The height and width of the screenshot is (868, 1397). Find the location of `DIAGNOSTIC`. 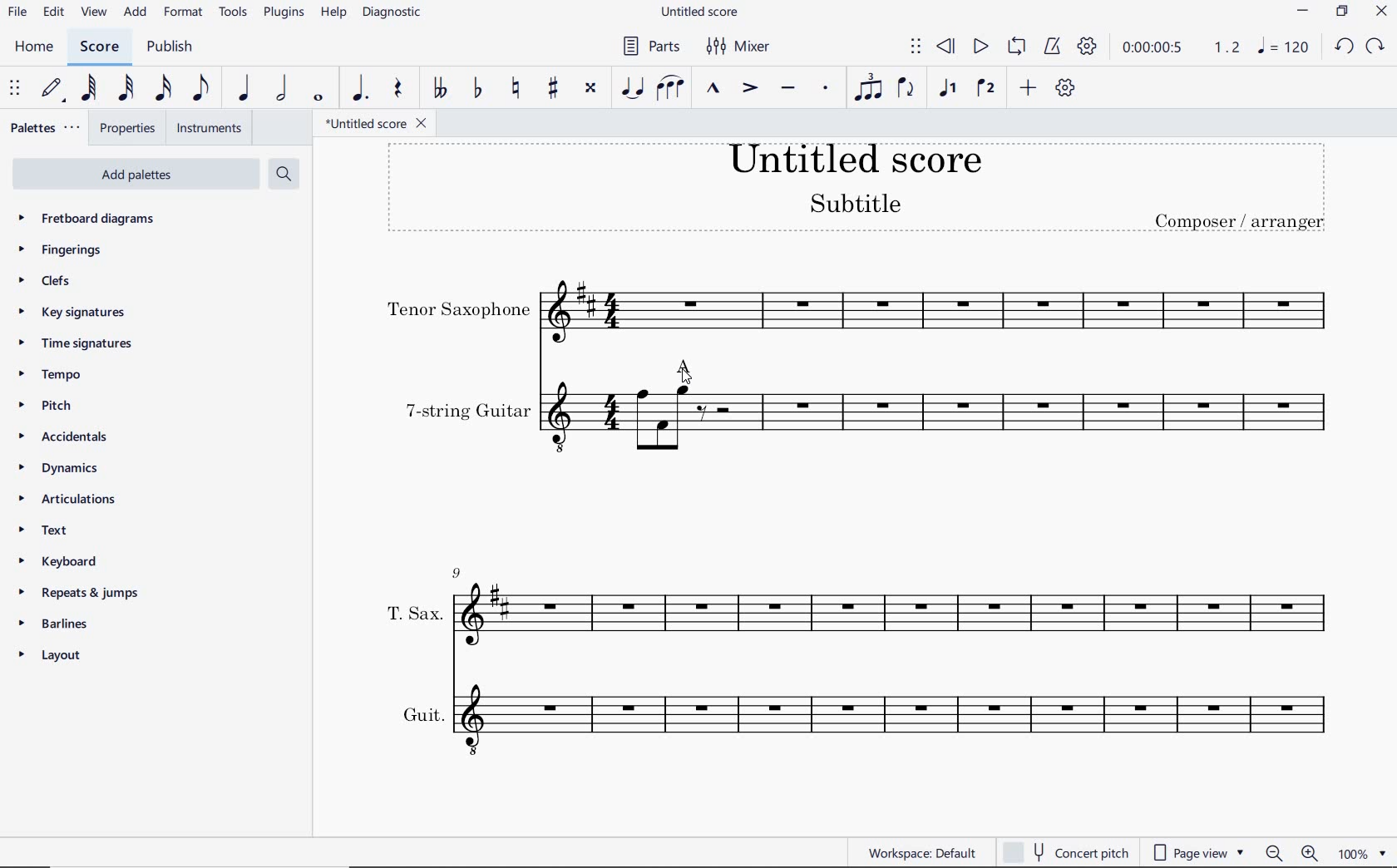

DIAGNOSTIC is located at coordinates (394, 15).